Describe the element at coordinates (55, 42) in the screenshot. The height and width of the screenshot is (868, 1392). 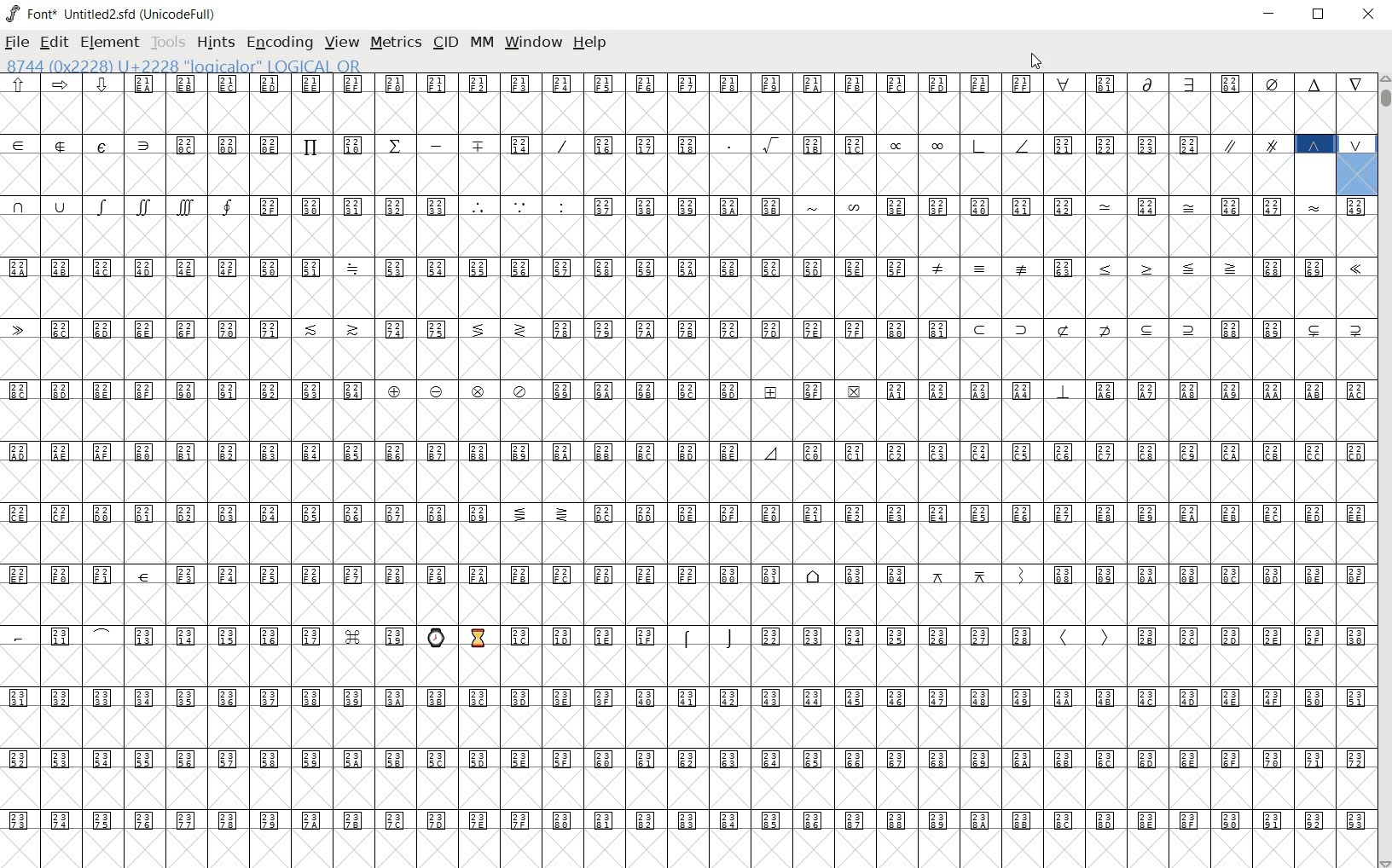
I see `edit` at that location.